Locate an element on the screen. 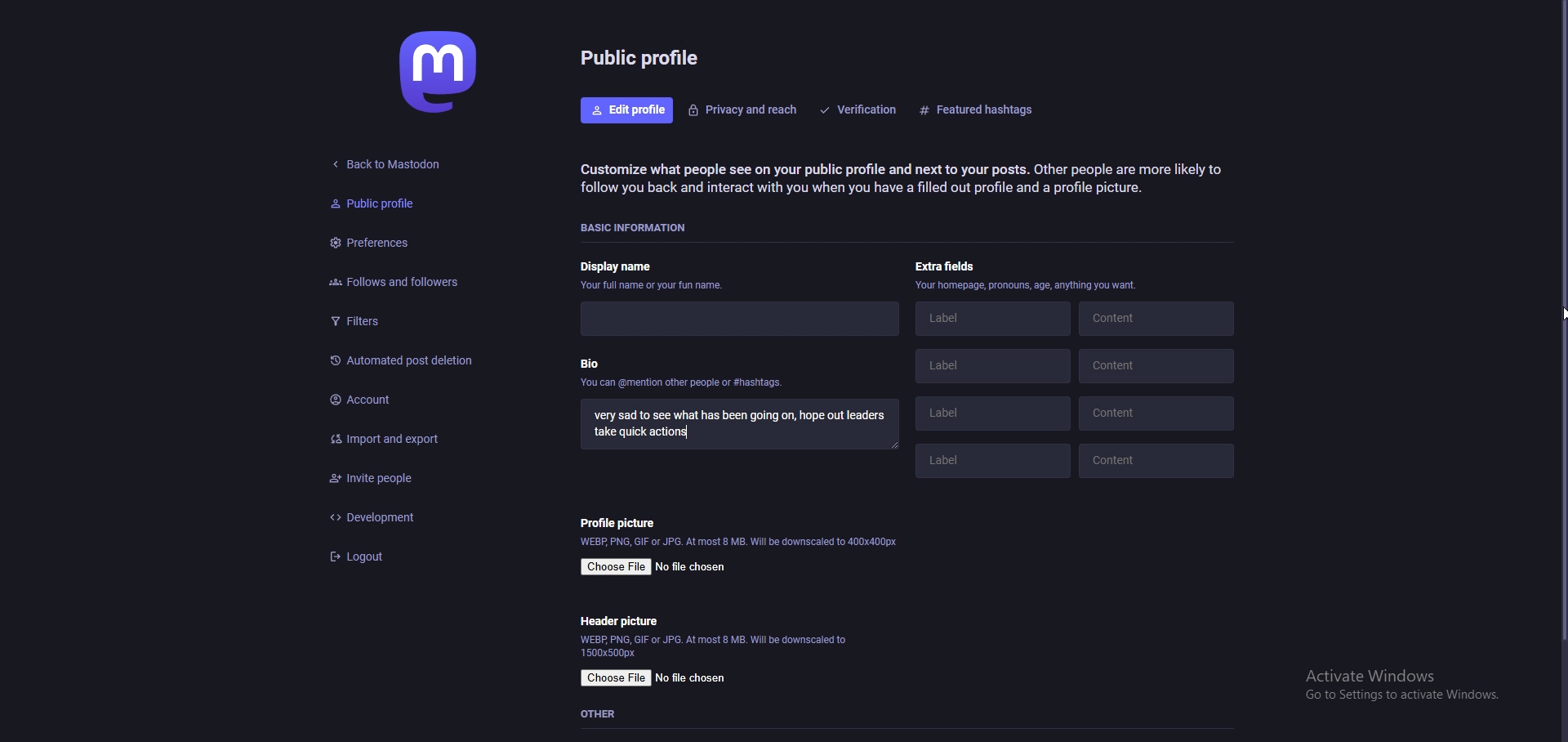 The image size is (1568, 742). content is located at coordinates (1157, 460).